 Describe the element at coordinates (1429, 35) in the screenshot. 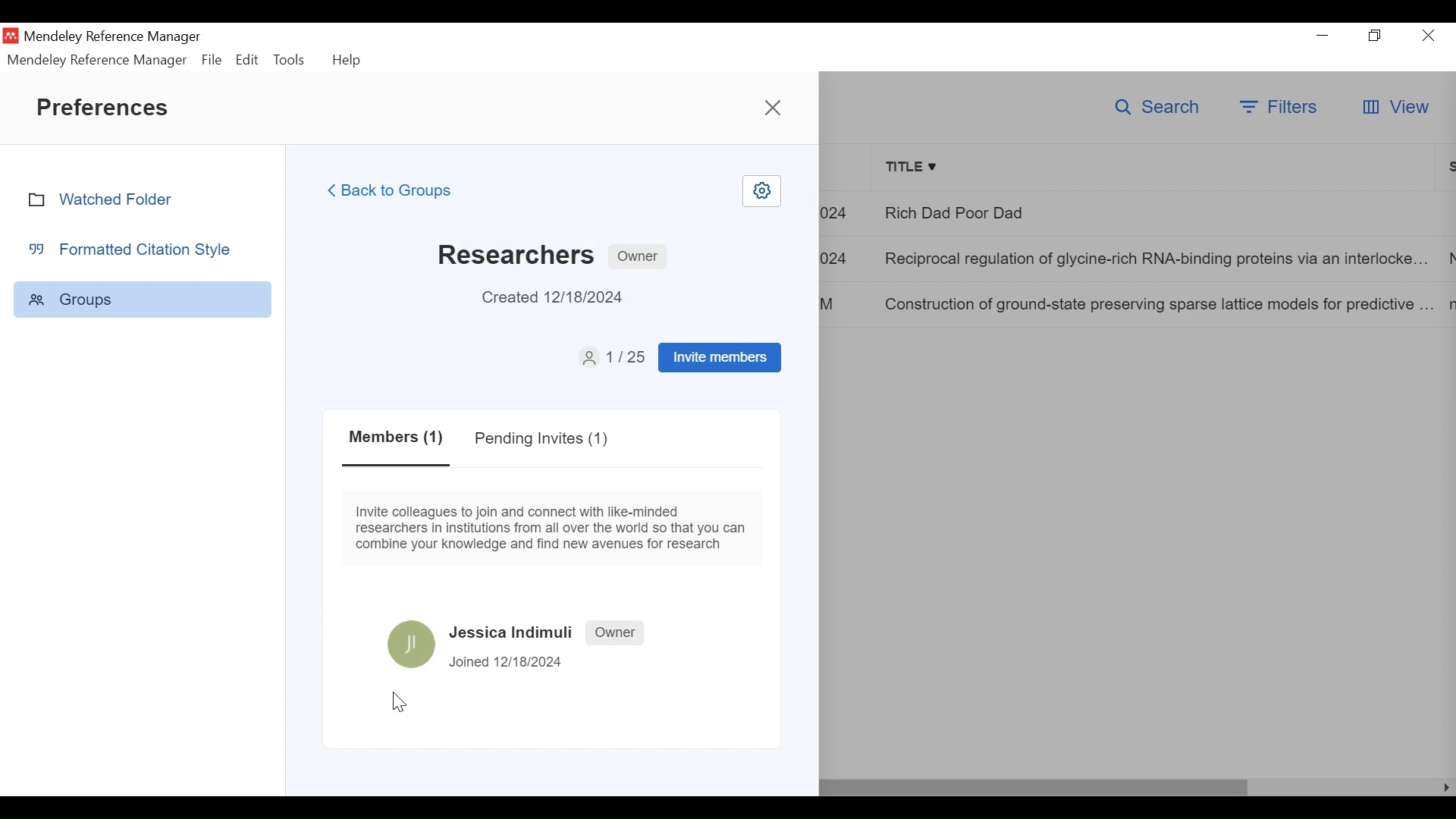

I see `Close` at that location.